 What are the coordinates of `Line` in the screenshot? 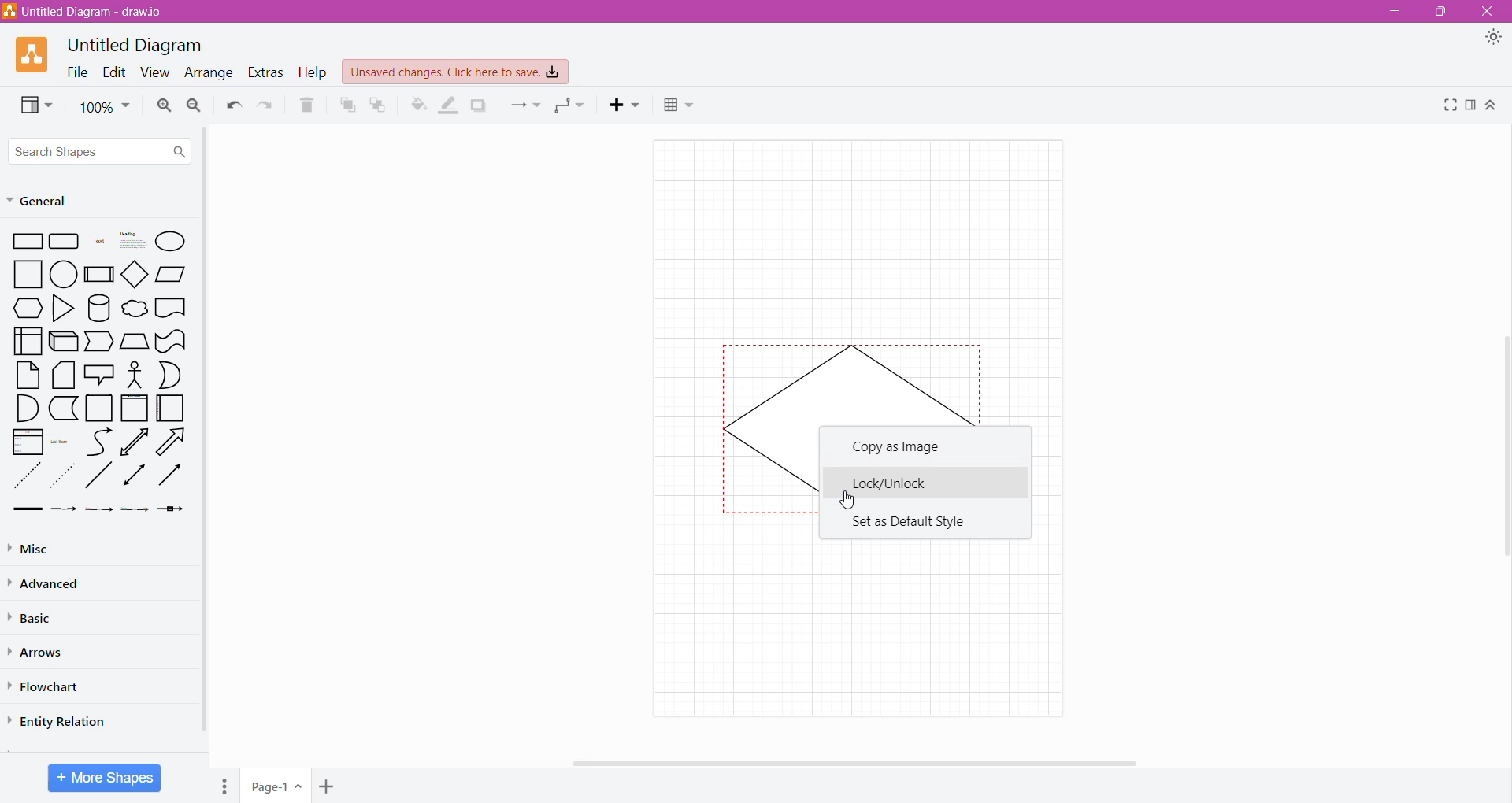 It's located at (98, 478).